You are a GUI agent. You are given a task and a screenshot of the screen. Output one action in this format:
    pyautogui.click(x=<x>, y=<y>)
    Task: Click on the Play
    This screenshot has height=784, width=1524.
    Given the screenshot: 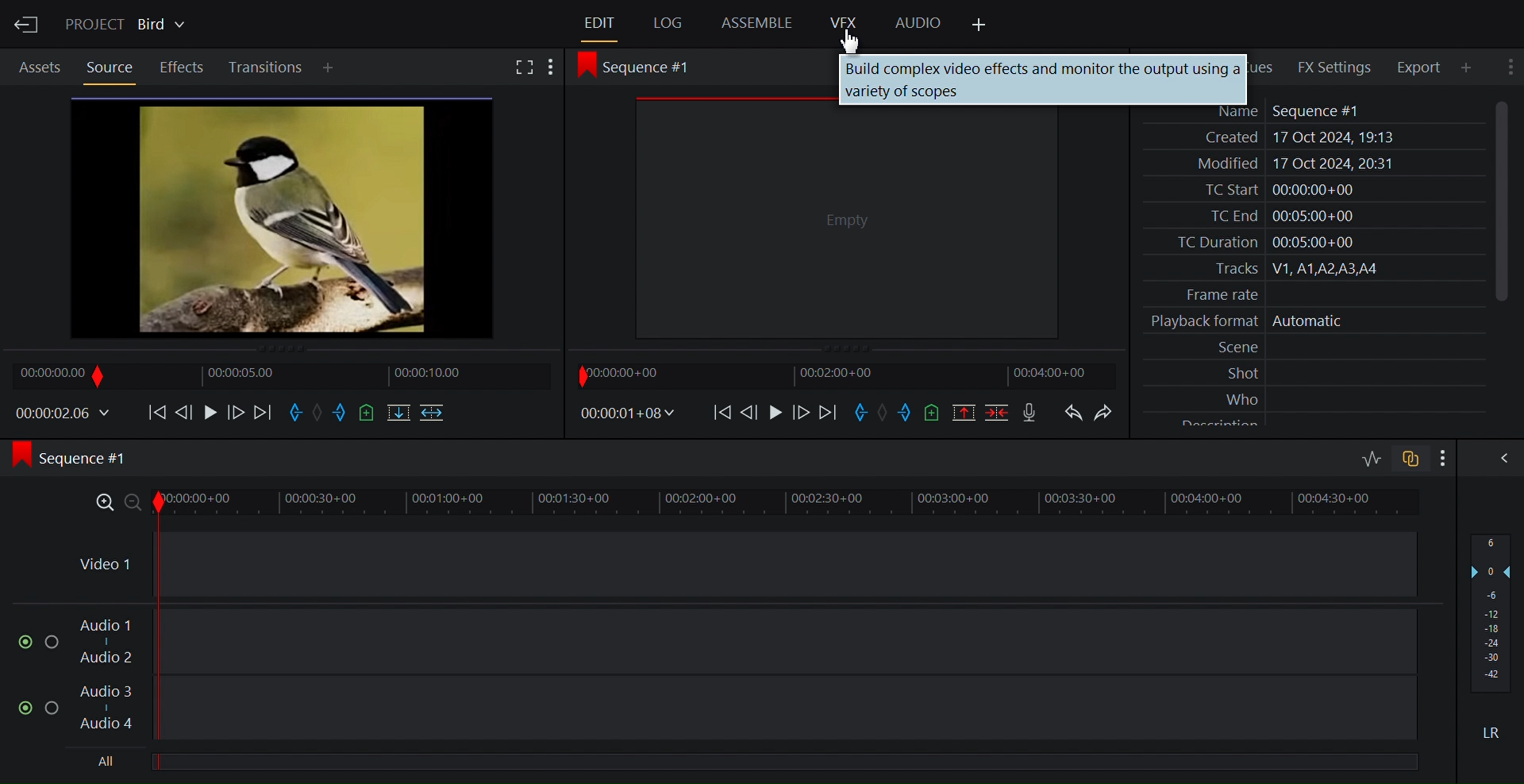 What is the action you would take?
    pyautogui.click(x=777, y=411)
    